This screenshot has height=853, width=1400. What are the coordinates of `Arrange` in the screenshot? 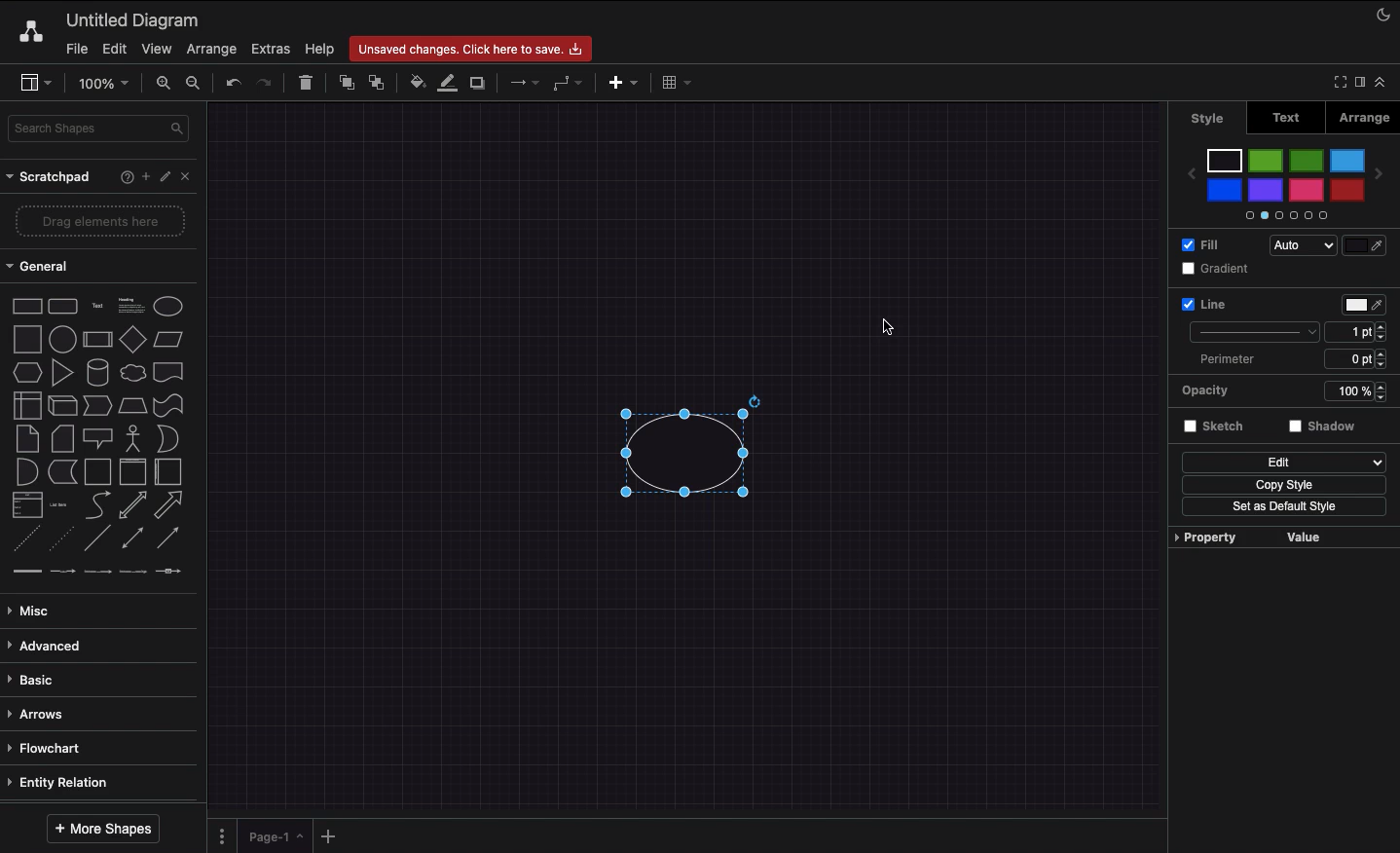 It's located at (212, 50).